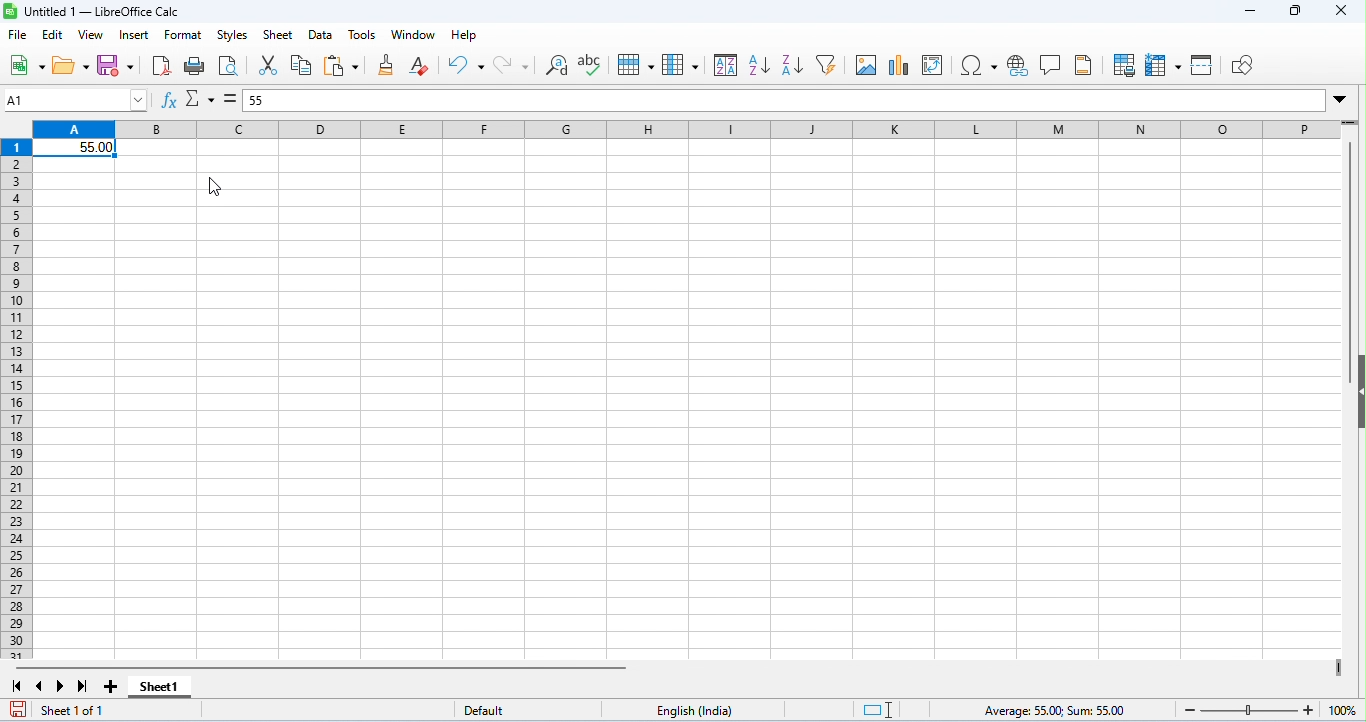 This screenshot has height=722, width=1366. What do you see at coordinates (72, 65) in the screenshot?
I see `open` at bounding box center [72, 65].